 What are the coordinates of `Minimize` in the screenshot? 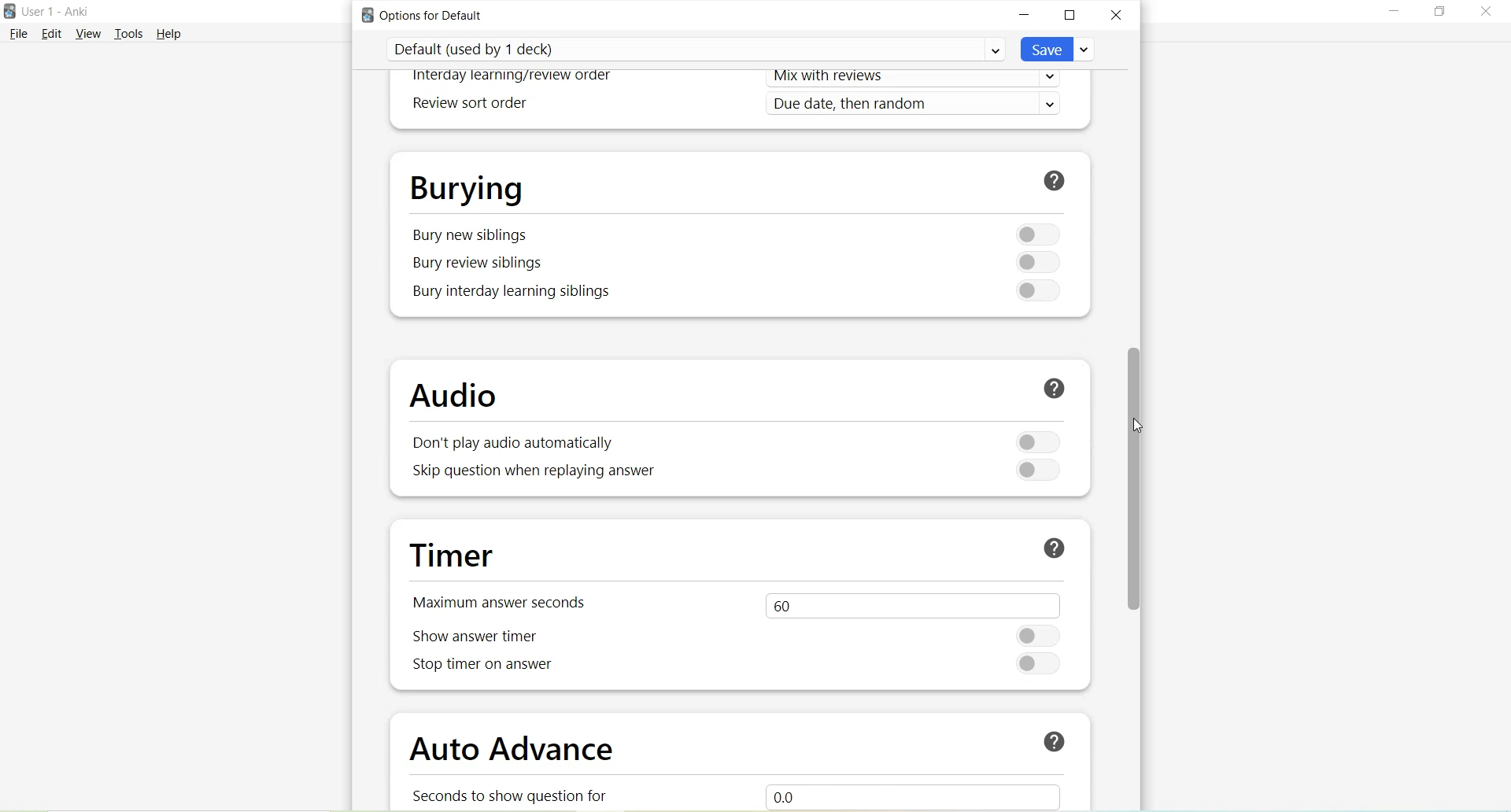 It's located at (1025, 15).